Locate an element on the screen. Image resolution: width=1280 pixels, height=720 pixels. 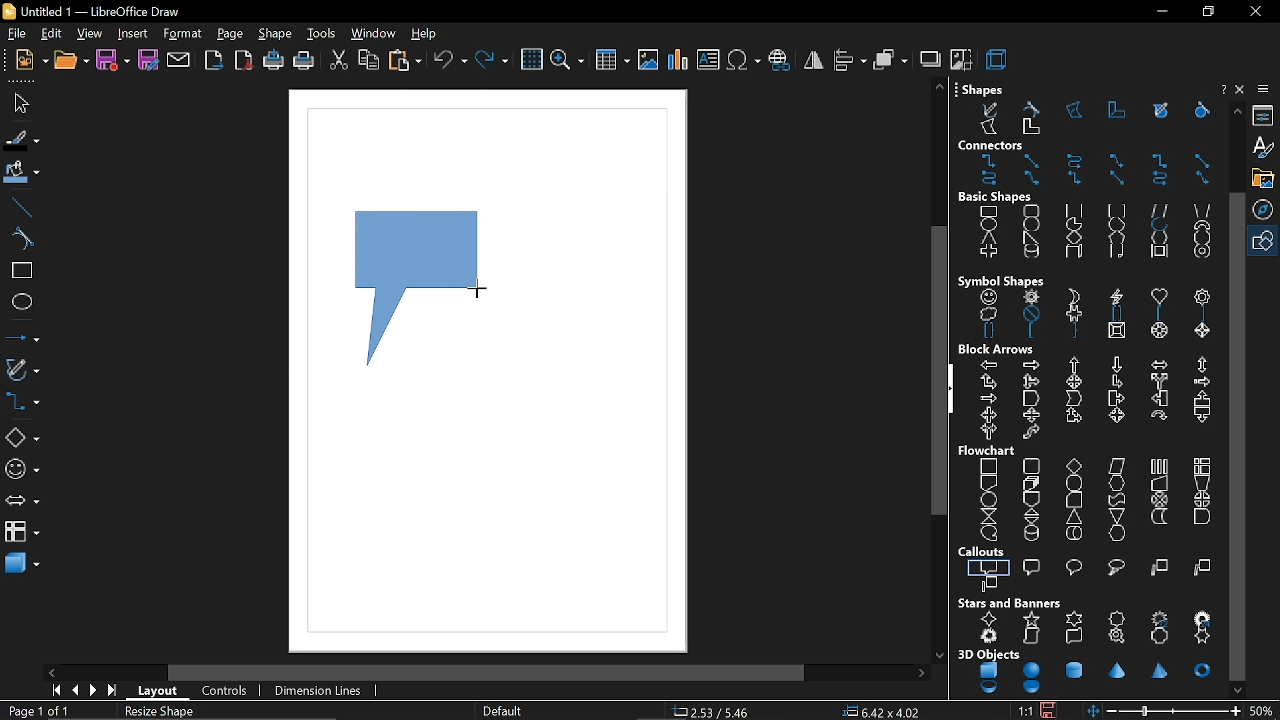
curved connector is located at coordinates (990, 181).